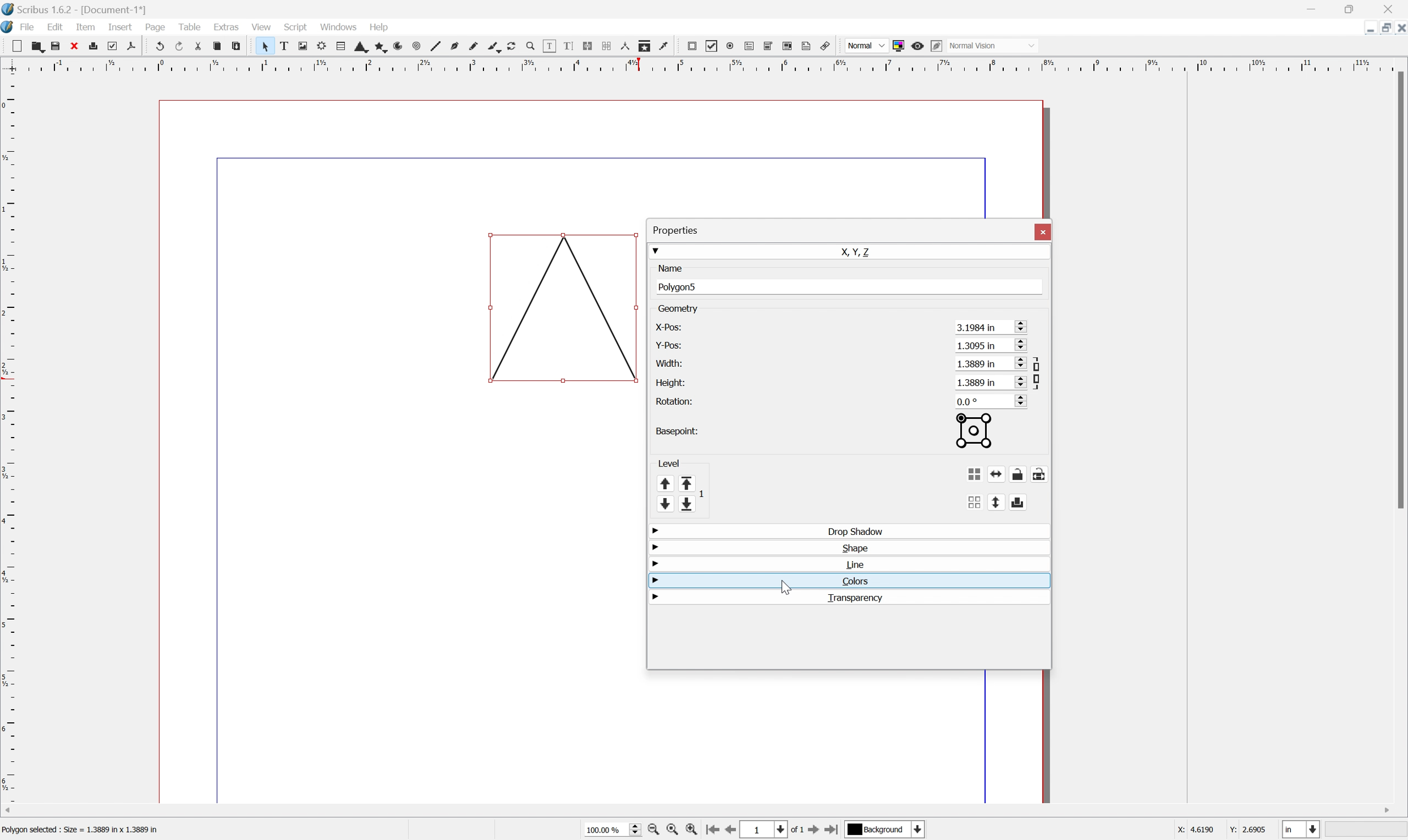  Describe the element at coordinates (656, 250) in the screenshot. I see `Drop Down` at that location.